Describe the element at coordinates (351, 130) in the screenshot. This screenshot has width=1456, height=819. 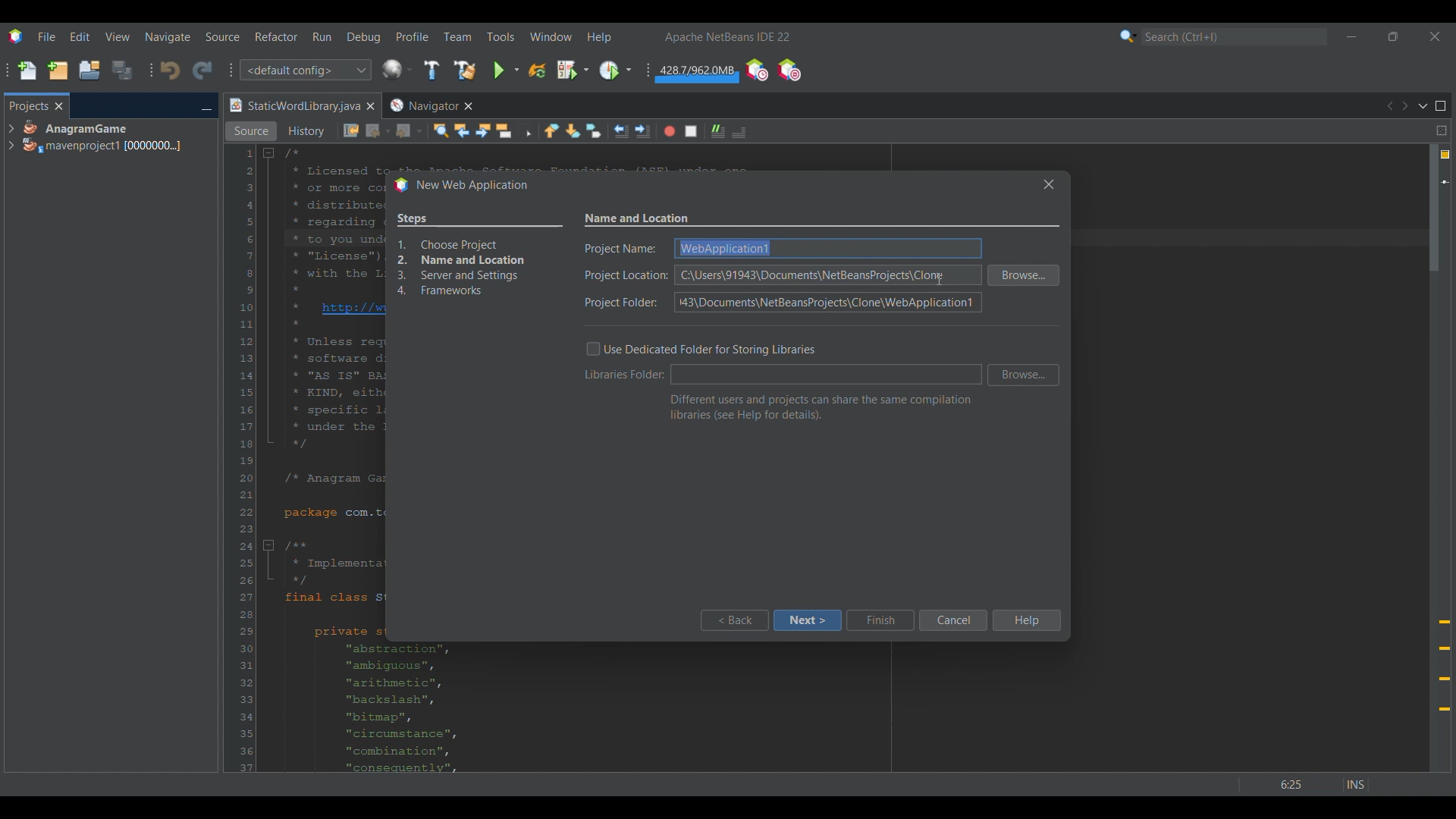
I see `Last edit` at that location.